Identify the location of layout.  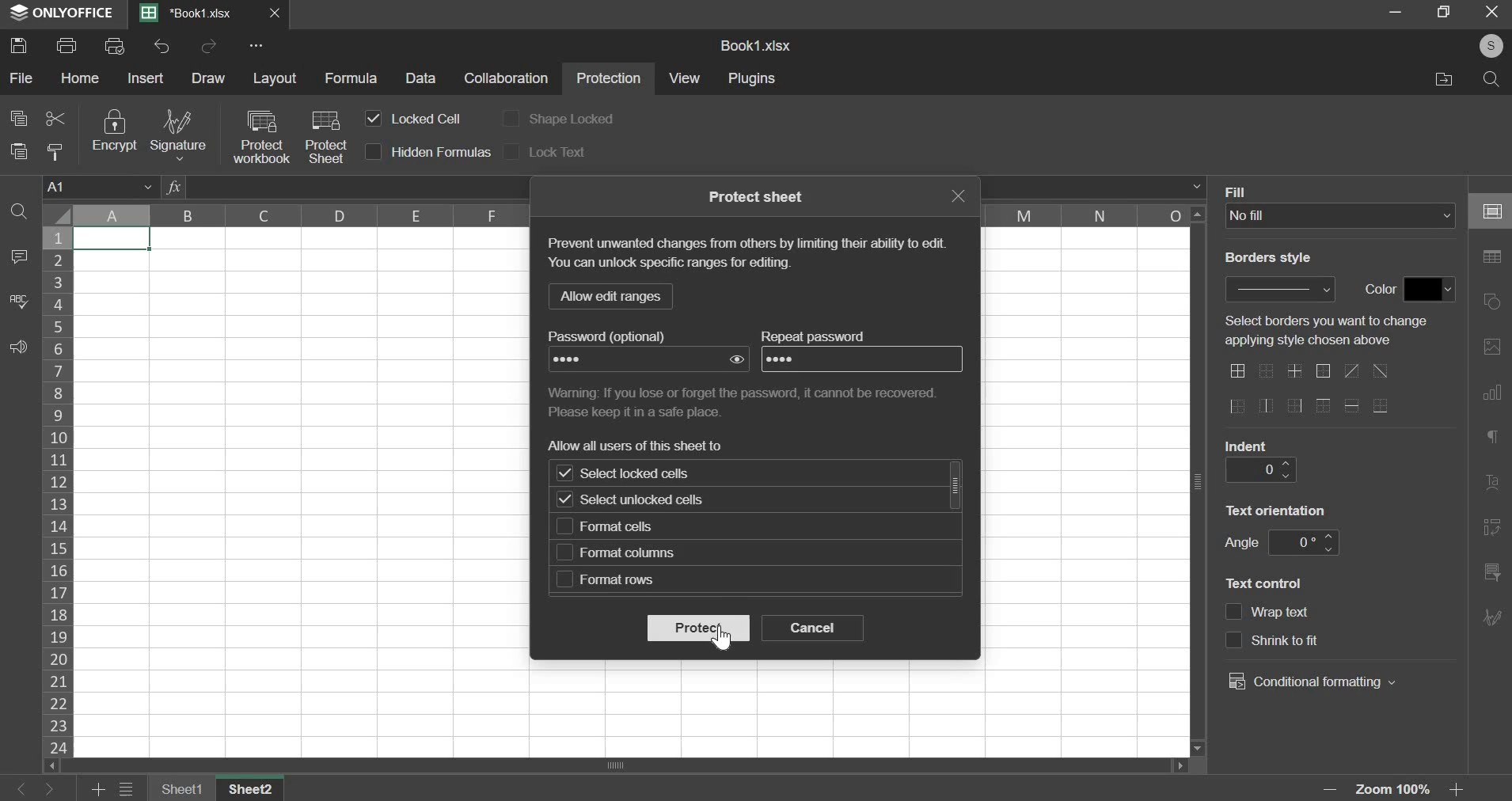
(275, 78).